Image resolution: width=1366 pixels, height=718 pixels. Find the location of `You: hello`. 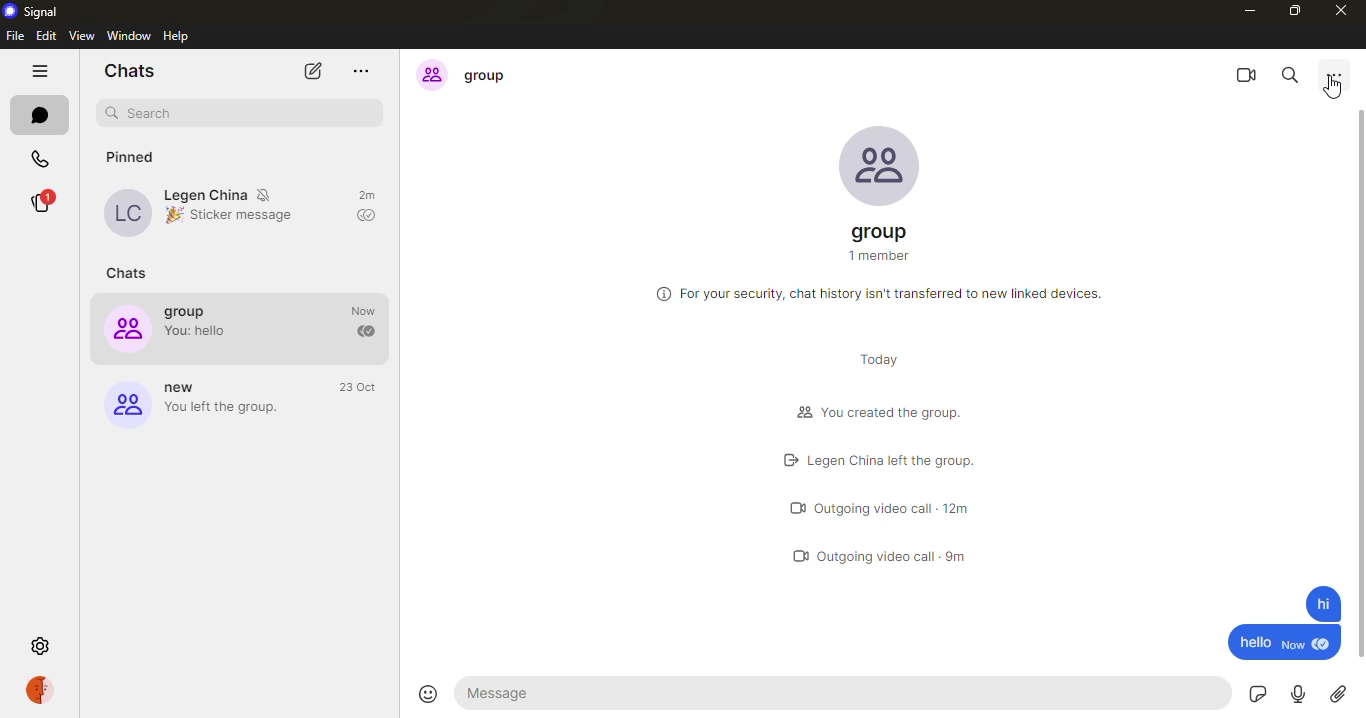

You: hello is located at coordinates (196, 332).